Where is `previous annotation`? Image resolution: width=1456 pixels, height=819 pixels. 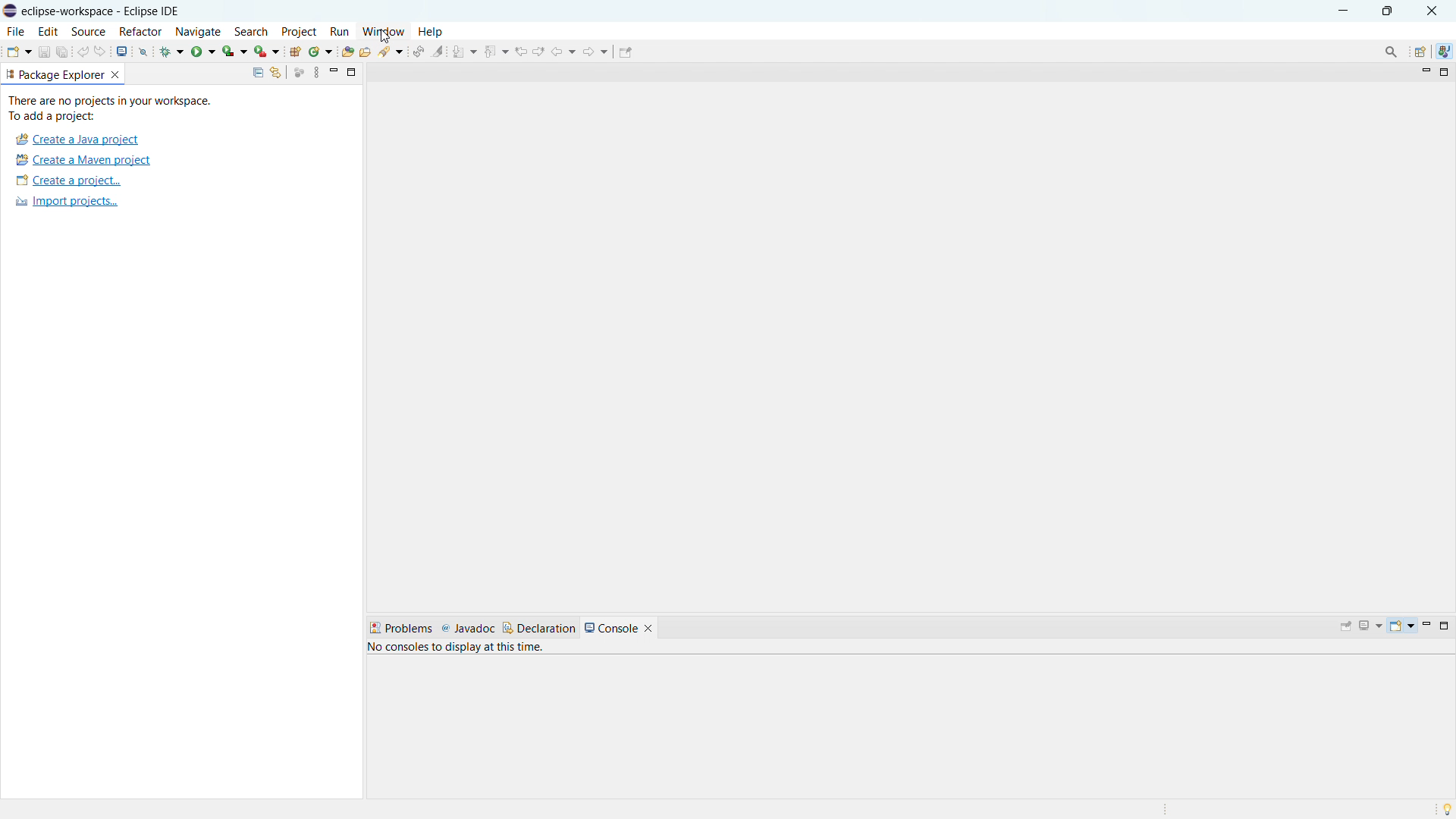 previous annotation is located at coordinates (496, 50).